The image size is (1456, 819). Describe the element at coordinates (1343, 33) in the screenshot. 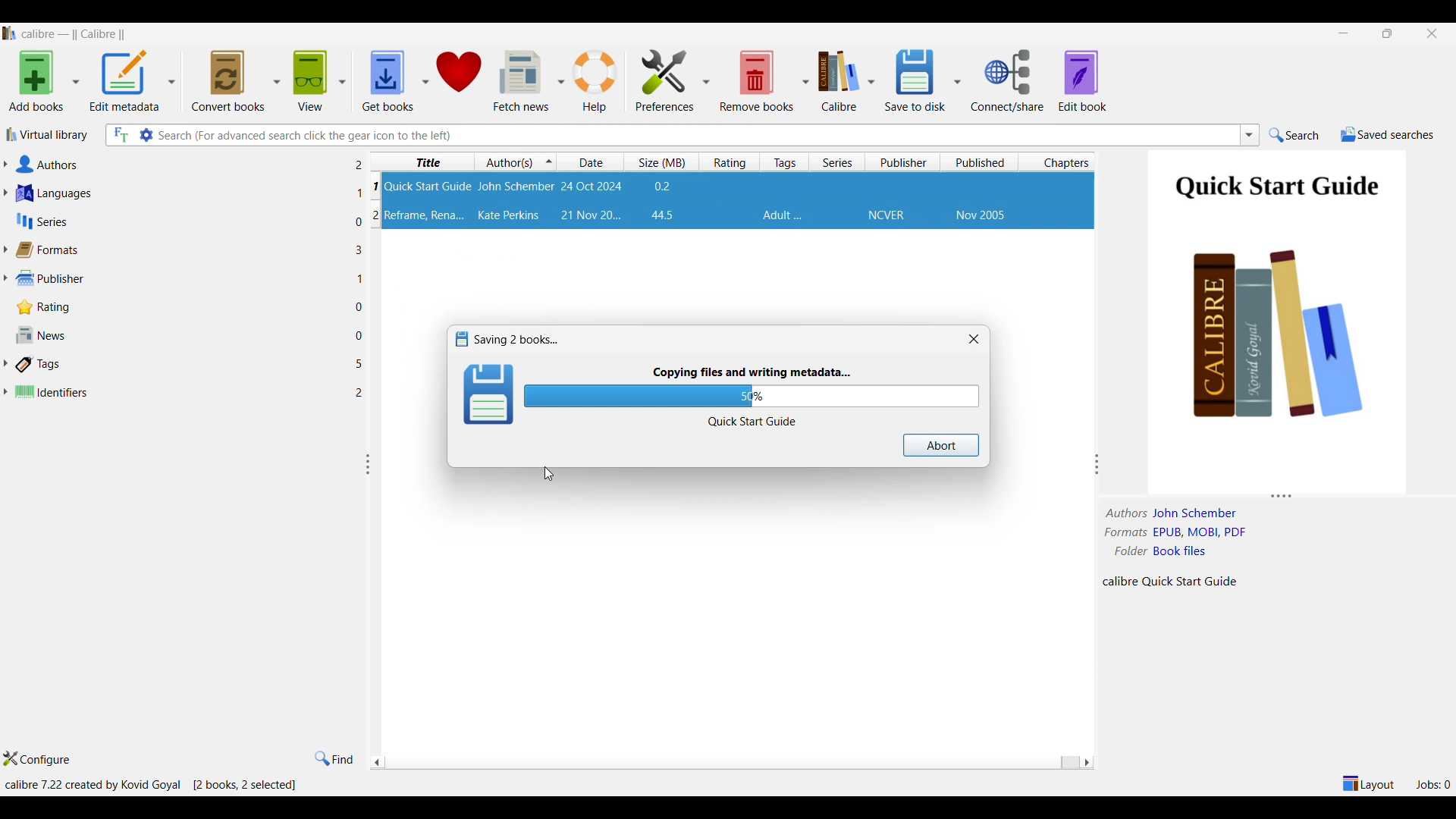

I see `Minimize` at that location.